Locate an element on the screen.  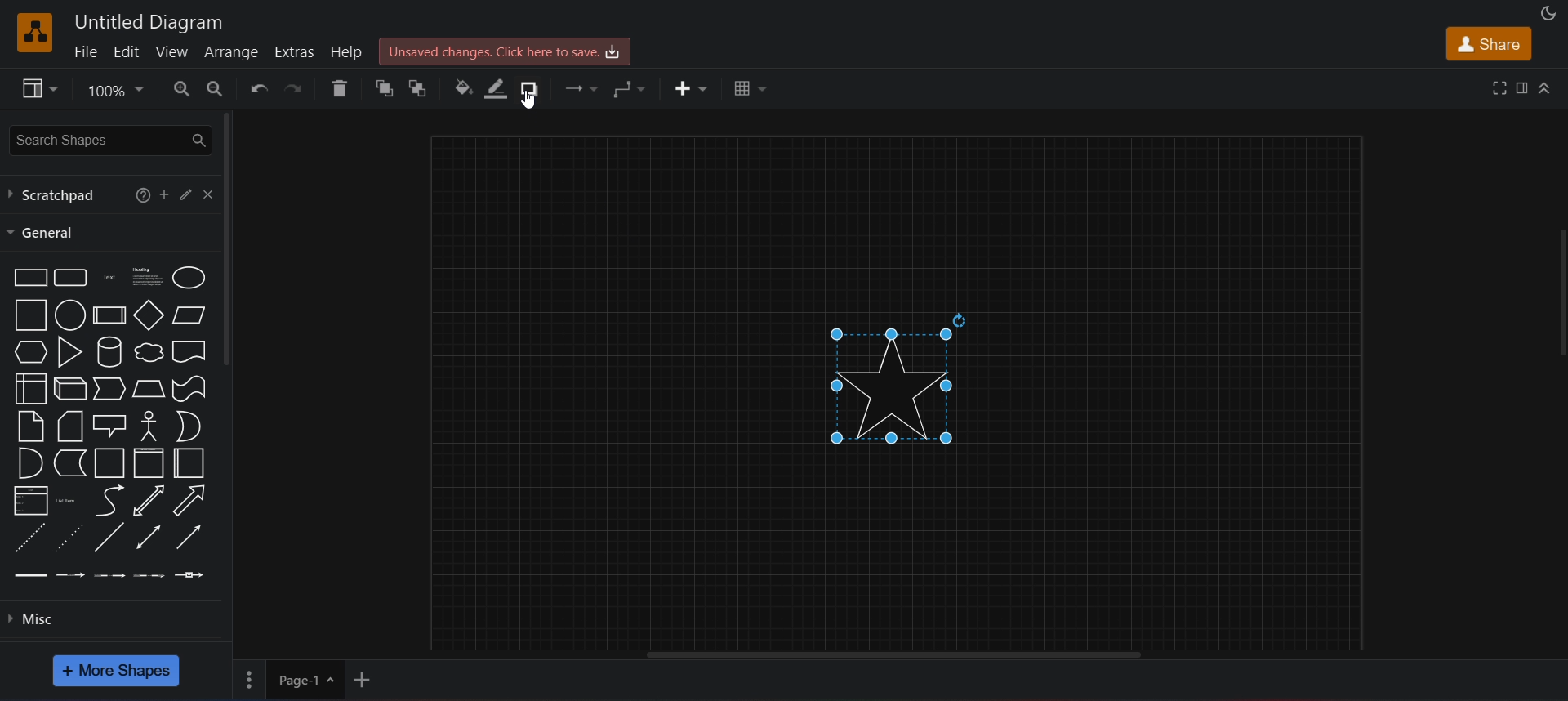
Connector with label is located at coordinates (70, 576).